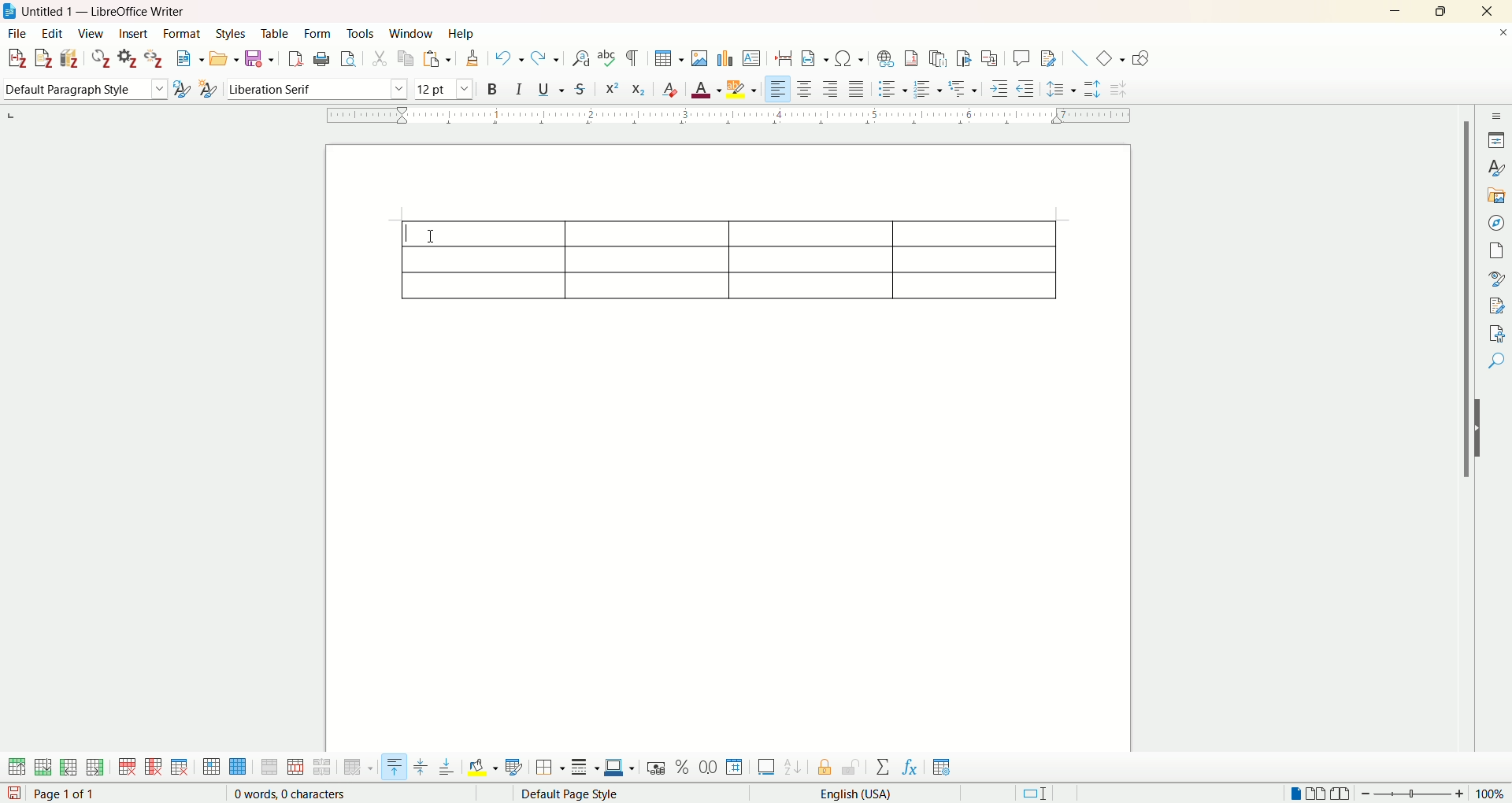 This screenshot has width=1512, height=803. Describe the element at coordinates (124, 56) in the screenshot. I see `document preferences` at that location.